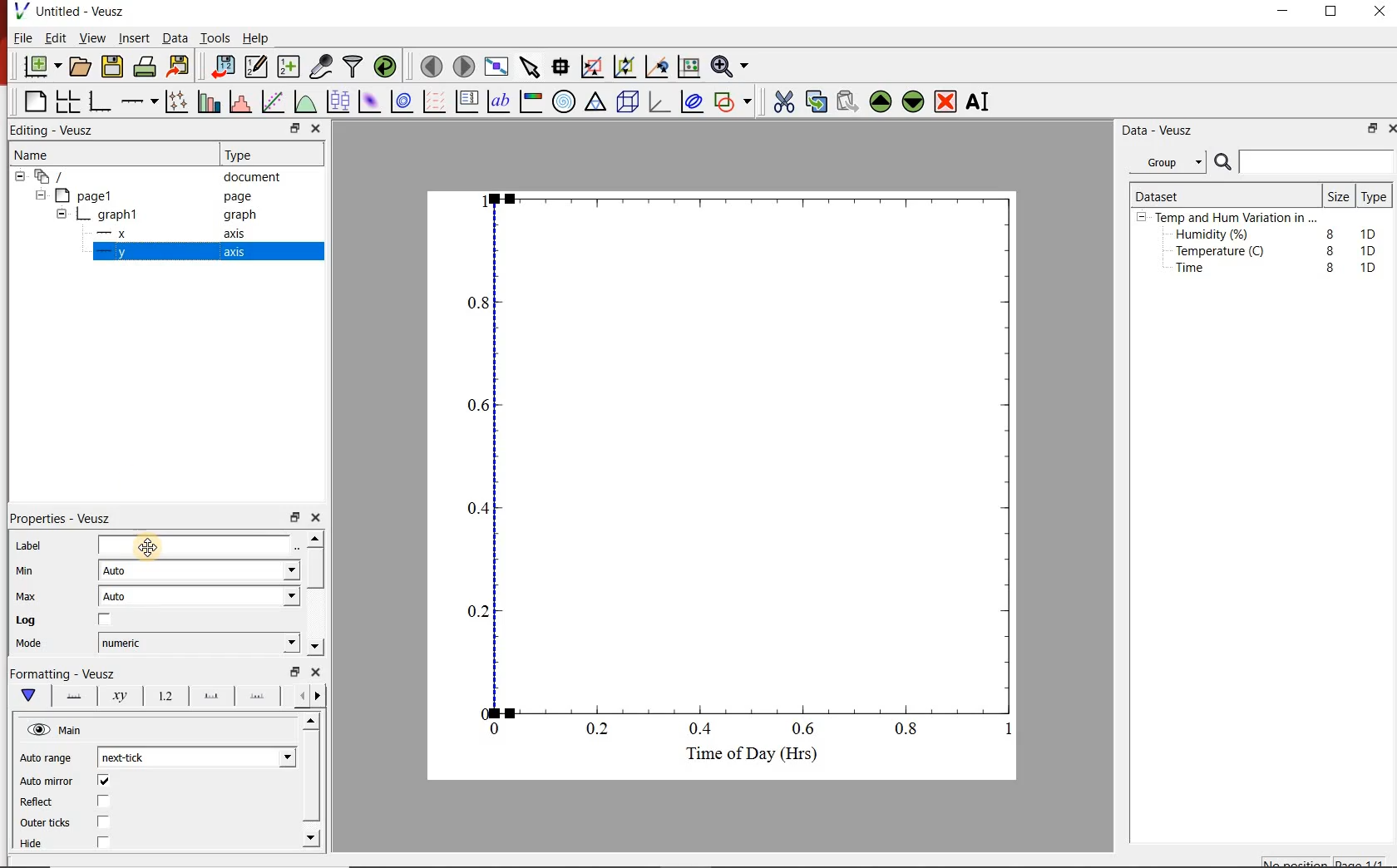 The height and width of the screenshot is (868, 1397). I want to click on Dataset, so click(1164, 194).